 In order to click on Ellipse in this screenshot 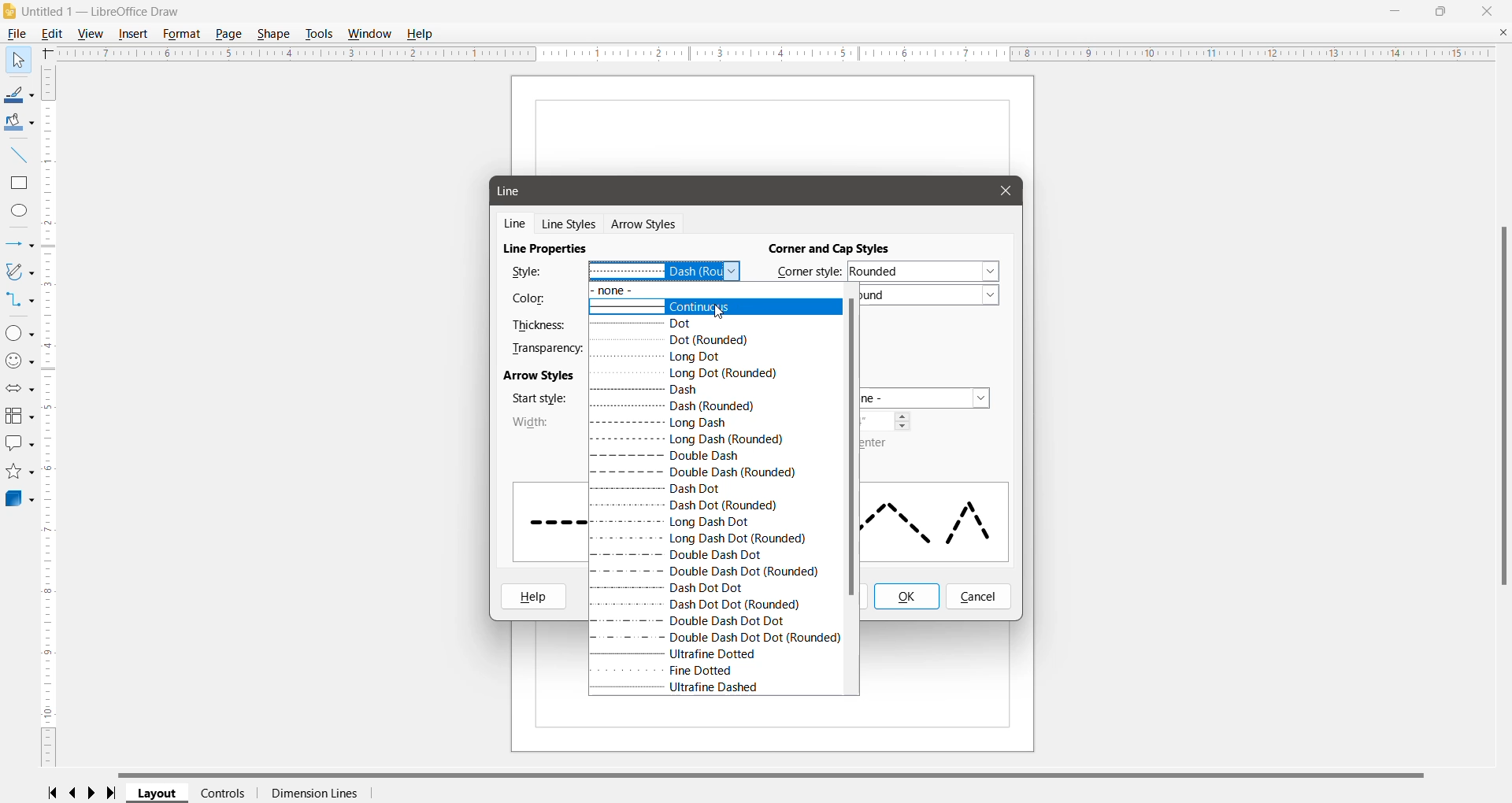, I will do `click(19, 210)`.